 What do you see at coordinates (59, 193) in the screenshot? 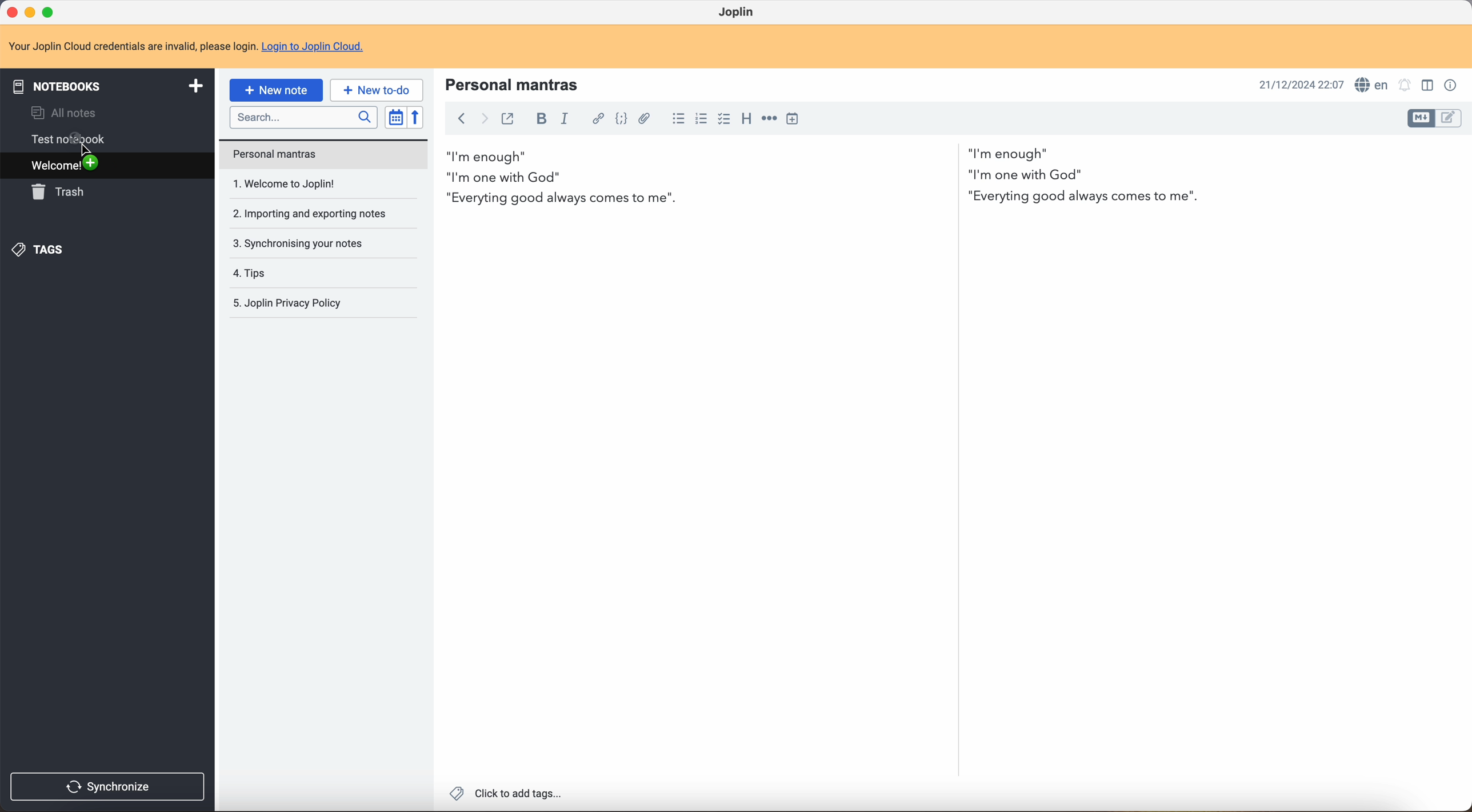
I see `trash` at bounding box center [59, 193].